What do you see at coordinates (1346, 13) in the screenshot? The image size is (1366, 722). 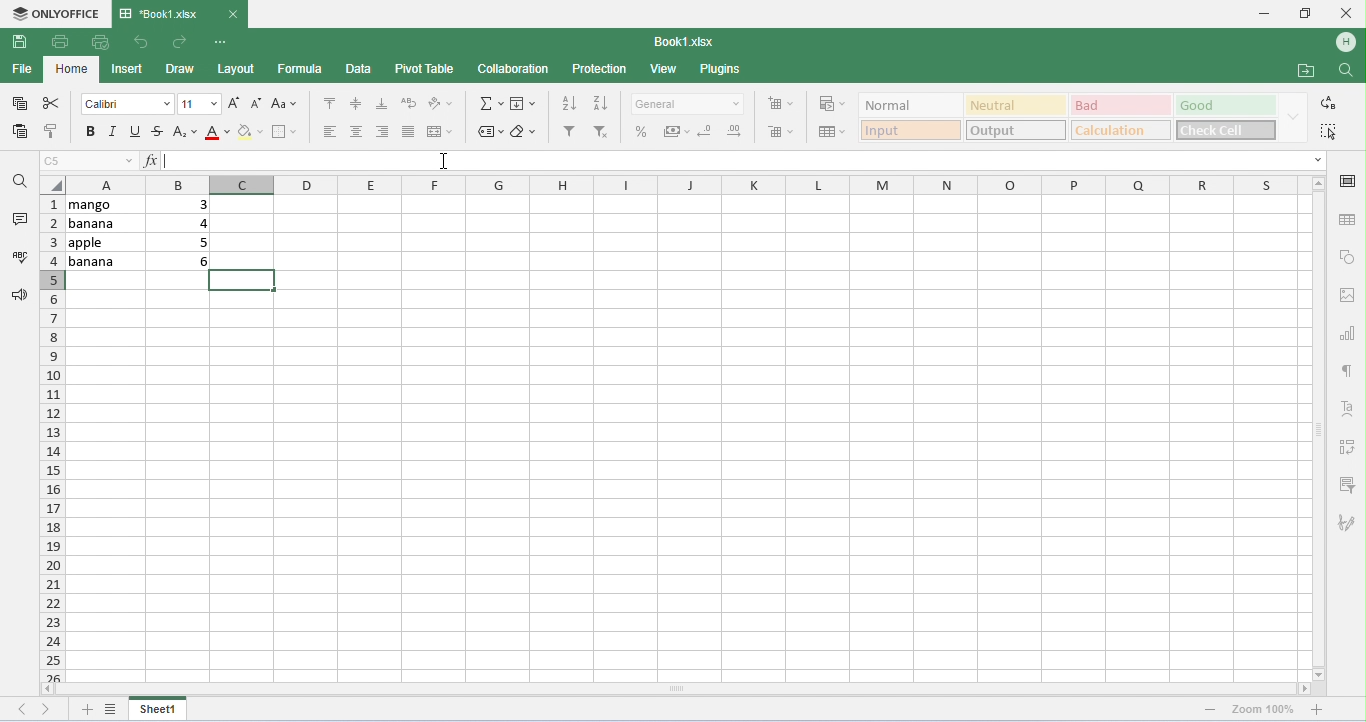 I see `close` at bounding box center [1346, 13].